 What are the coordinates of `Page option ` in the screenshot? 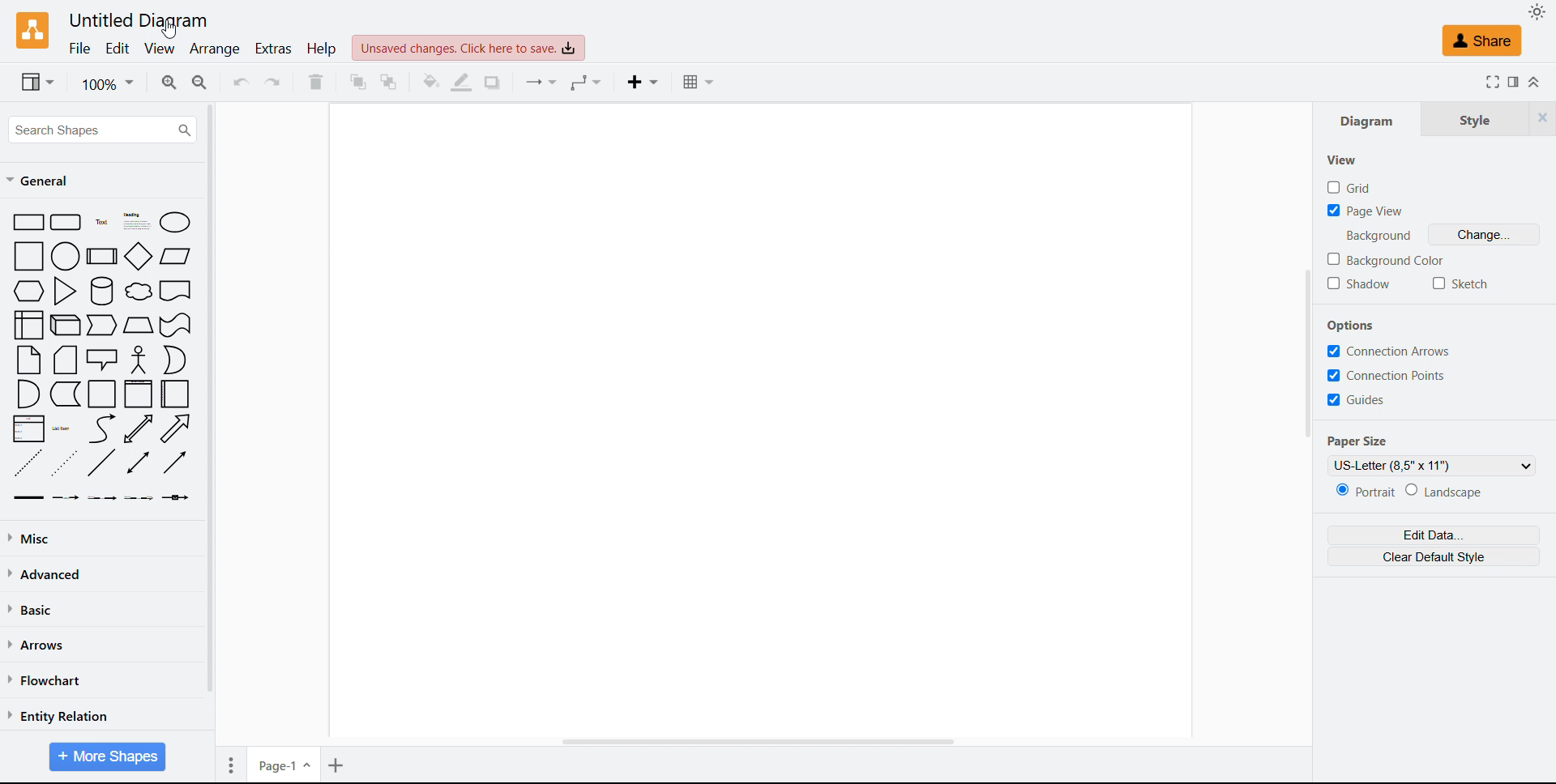 It's located at (231, 765).